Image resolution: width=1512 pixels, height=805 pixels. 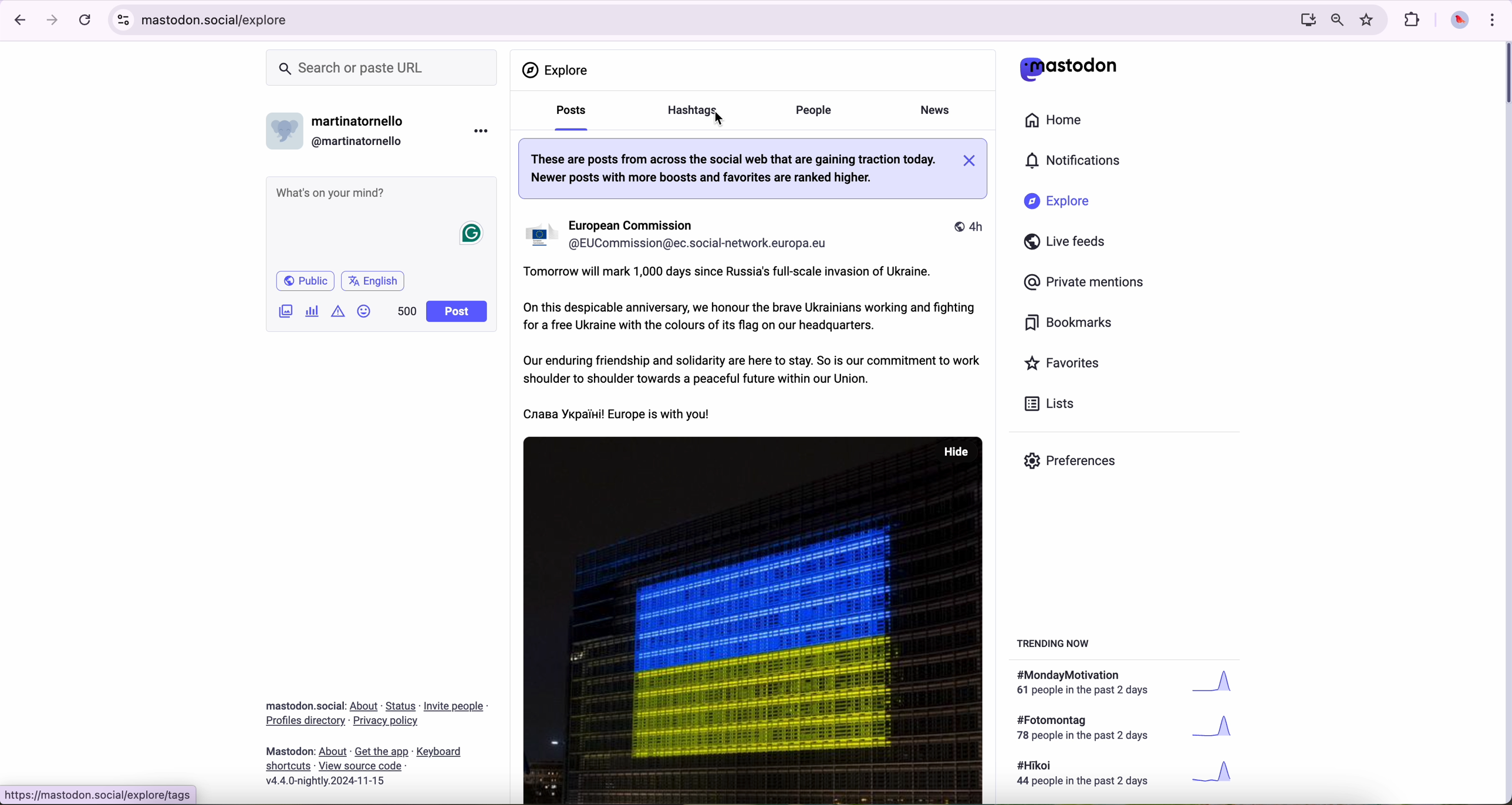 I want to click on user name, so click(x=642, y=226).